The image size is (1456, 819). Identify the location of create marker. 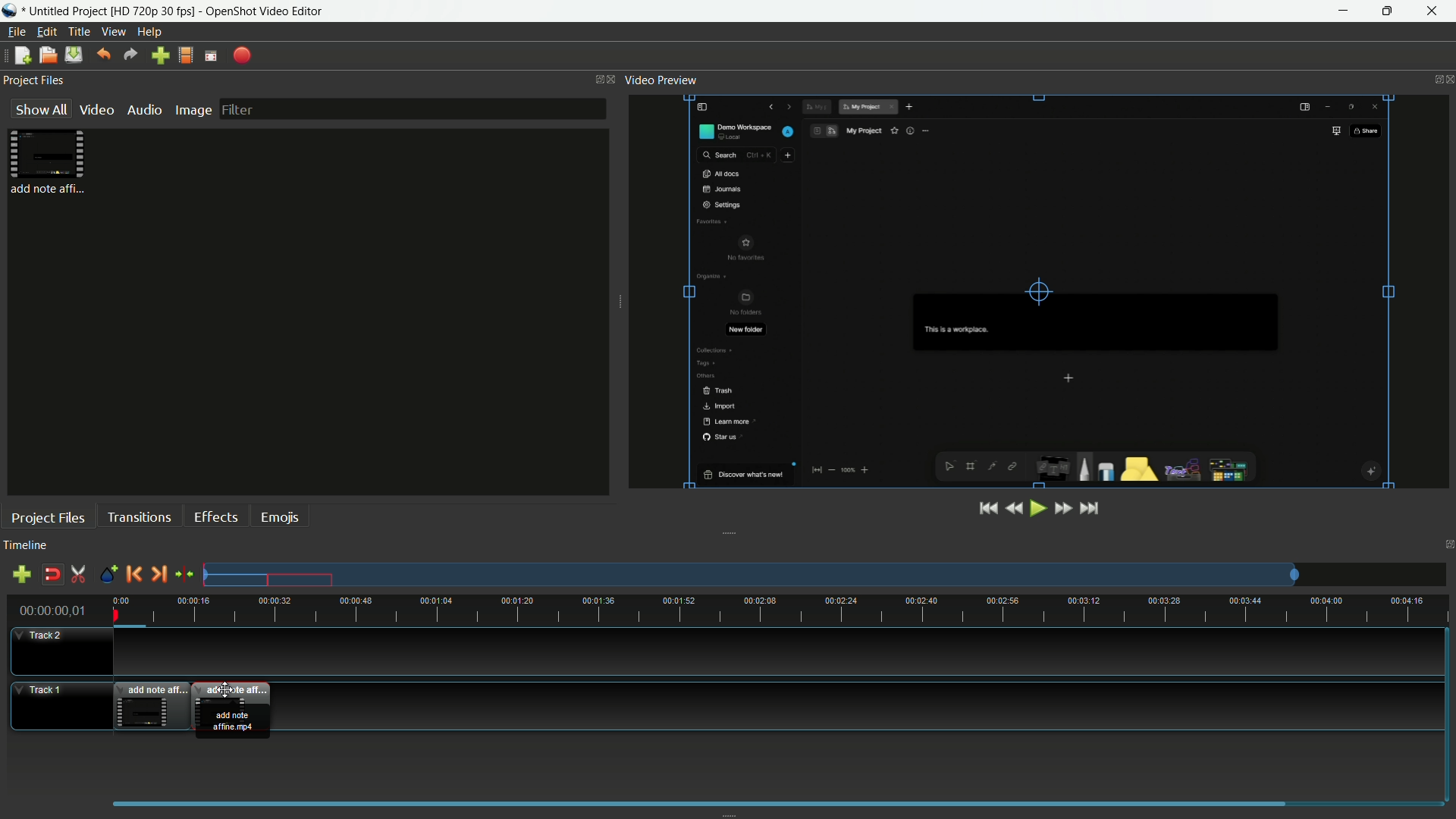
(108, 575).